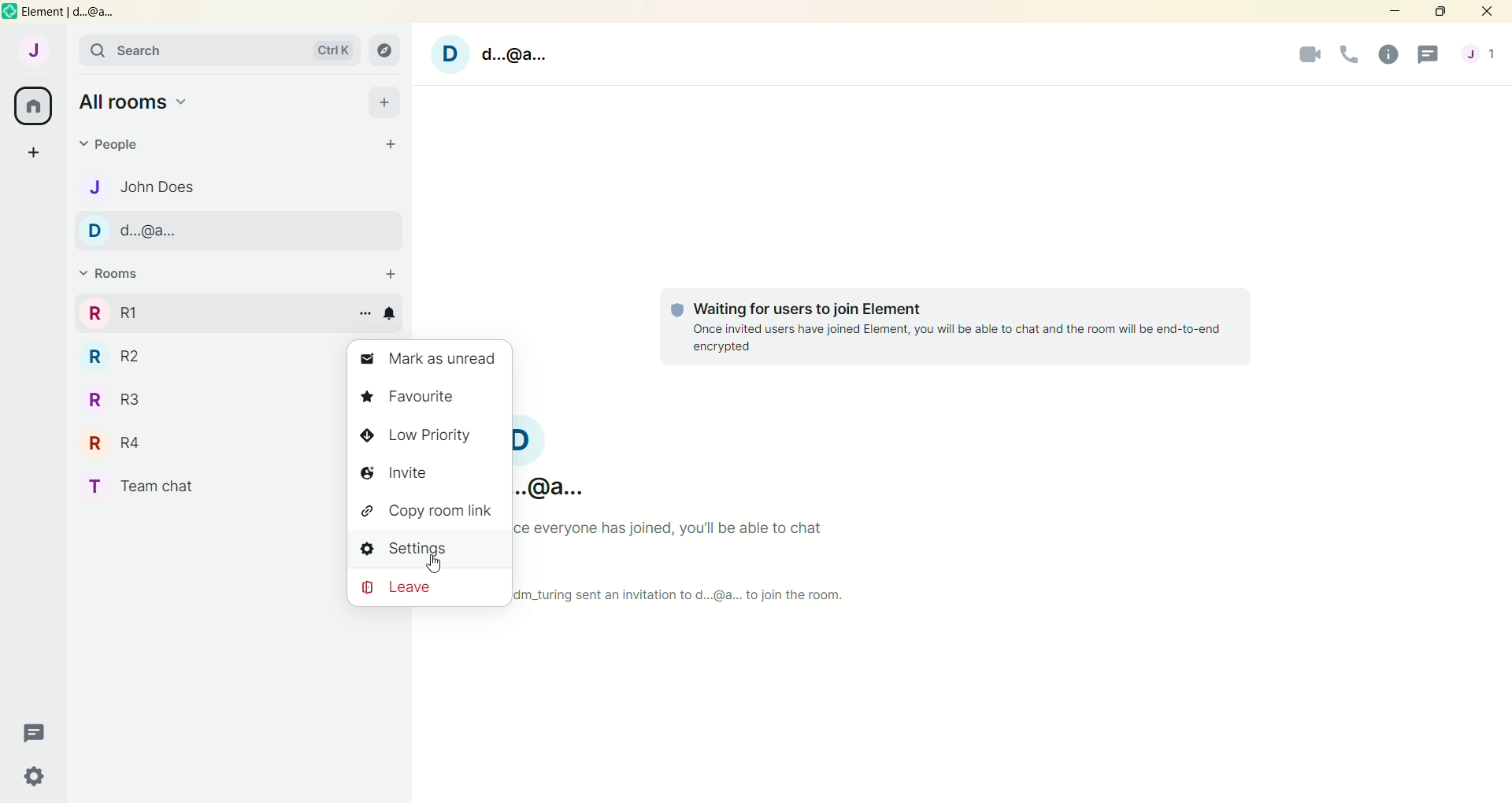 This screenshot has width=1512, height=803. Describe the element at coordinates (493, 54) in the screenshot. I see `D d...@a...` at that location.